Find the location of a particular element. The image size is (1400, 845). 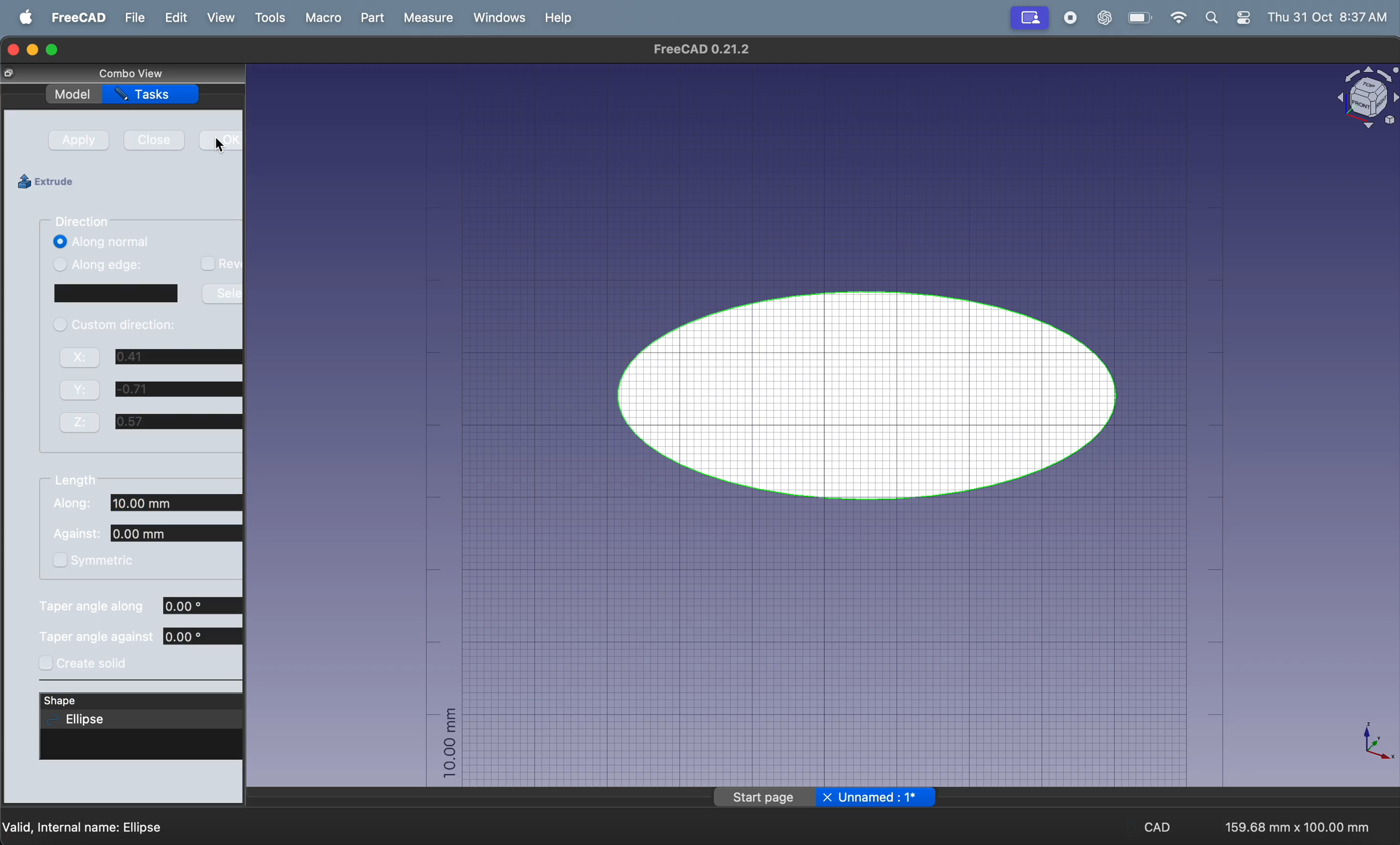

along is located at coordinates (69, 503).